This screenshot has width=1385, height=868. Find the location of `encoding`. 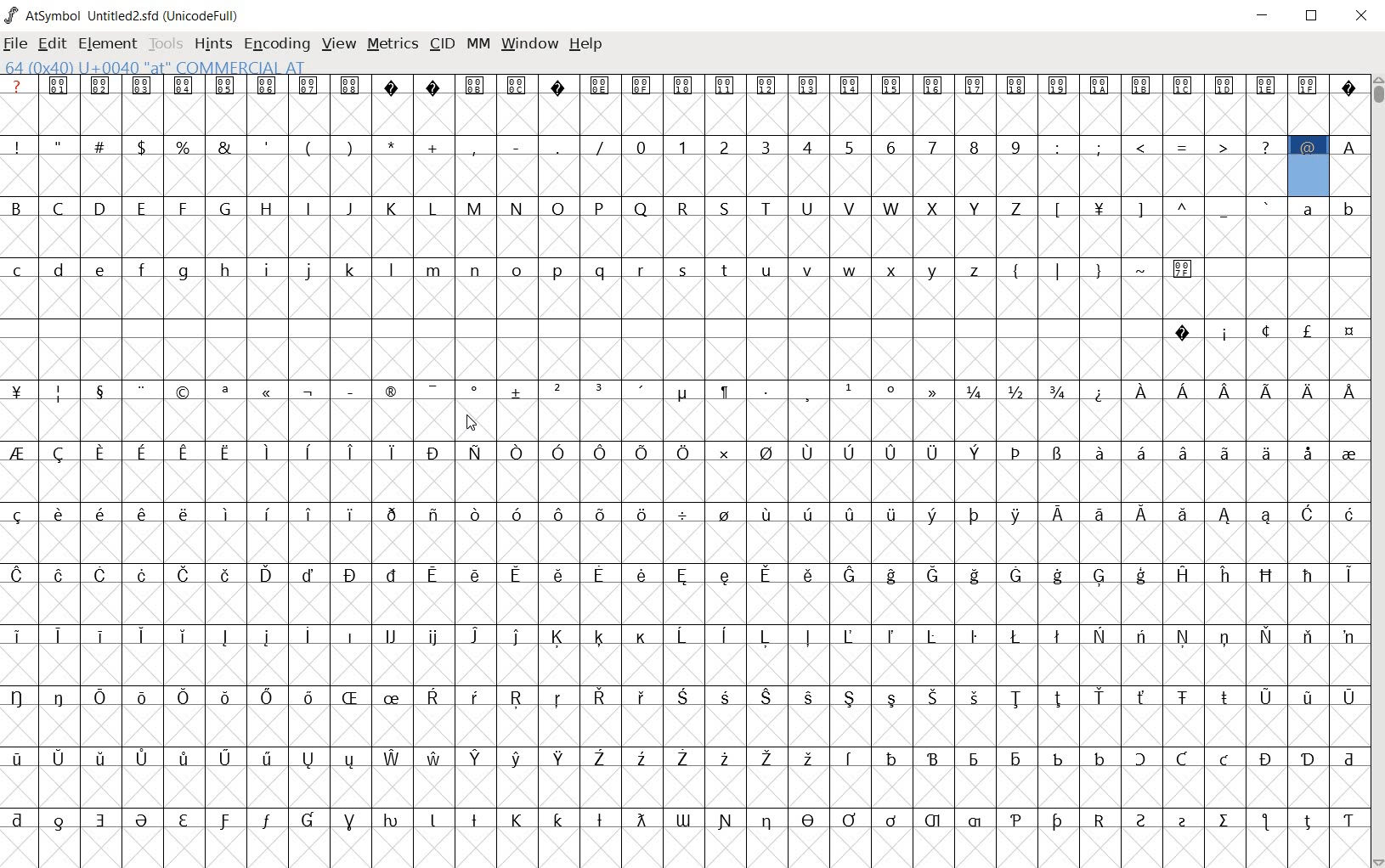

encoding is located at coordinates (277, 43).